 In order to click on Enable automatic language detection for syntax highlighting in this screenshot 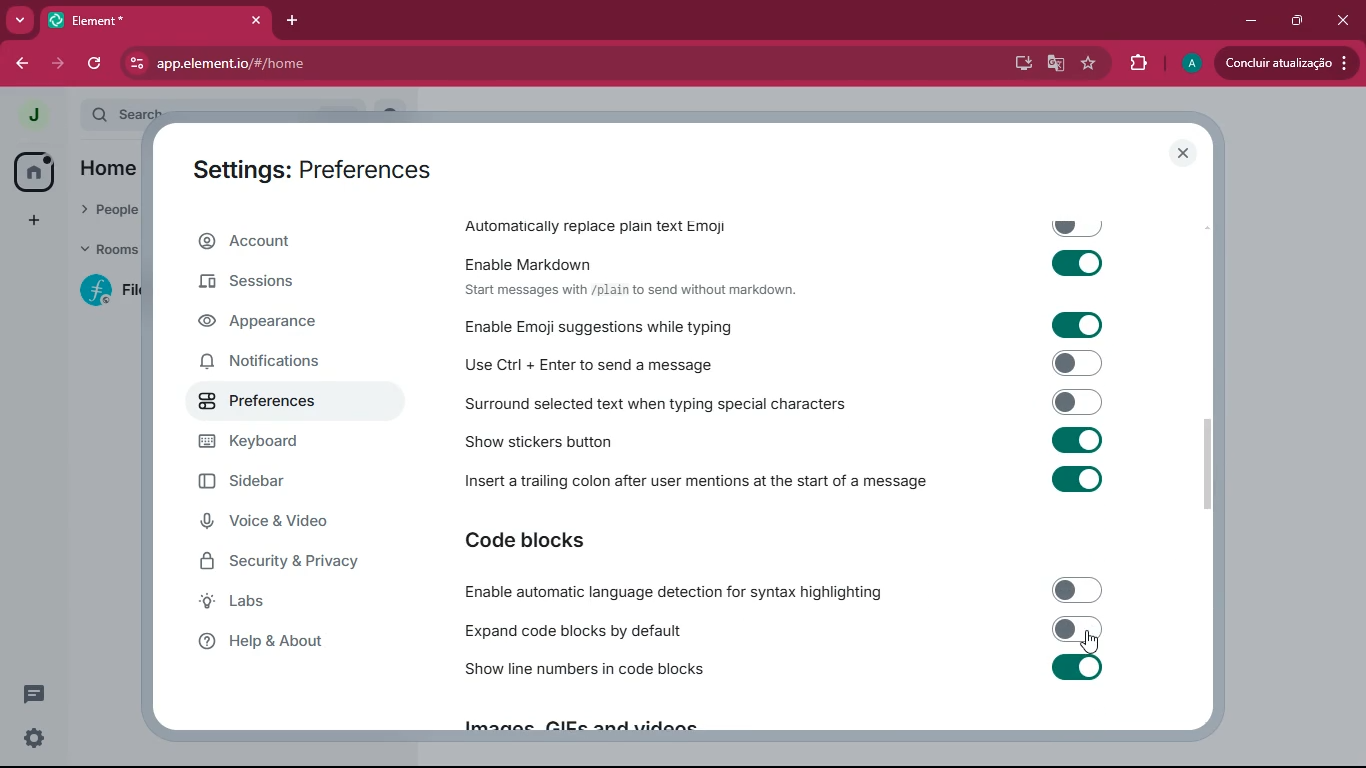, I will do `click(782, 592)`.